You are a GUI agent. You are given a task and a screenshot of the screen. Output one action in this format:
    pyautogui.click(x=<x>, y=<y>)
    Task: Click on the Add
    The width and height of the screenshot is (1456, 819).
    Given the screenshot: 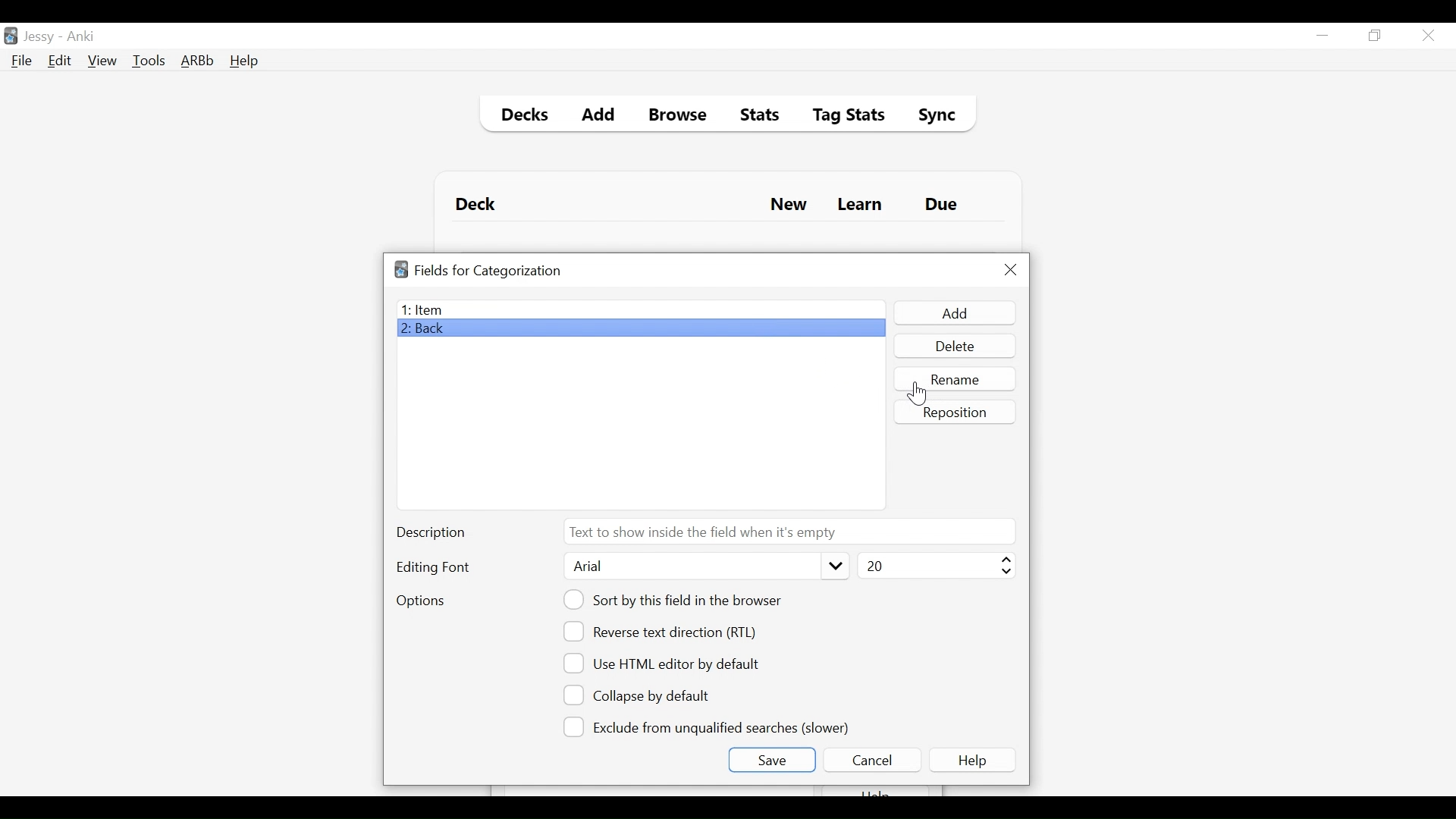 What is the action you would take?
    pyautogui.click(x=599, y=117)
    